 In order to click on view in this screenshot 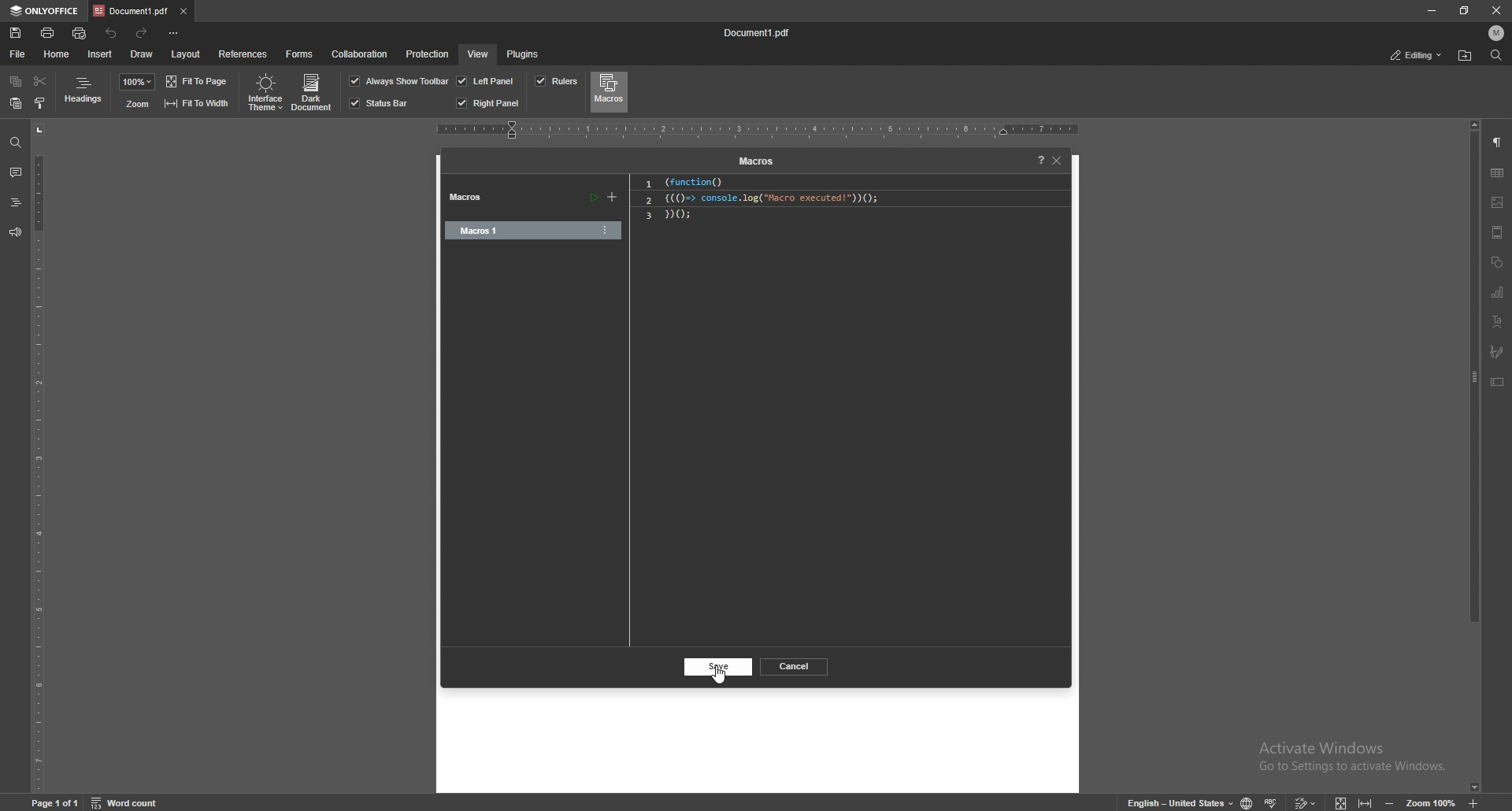, I will do `click(477, 54)`.